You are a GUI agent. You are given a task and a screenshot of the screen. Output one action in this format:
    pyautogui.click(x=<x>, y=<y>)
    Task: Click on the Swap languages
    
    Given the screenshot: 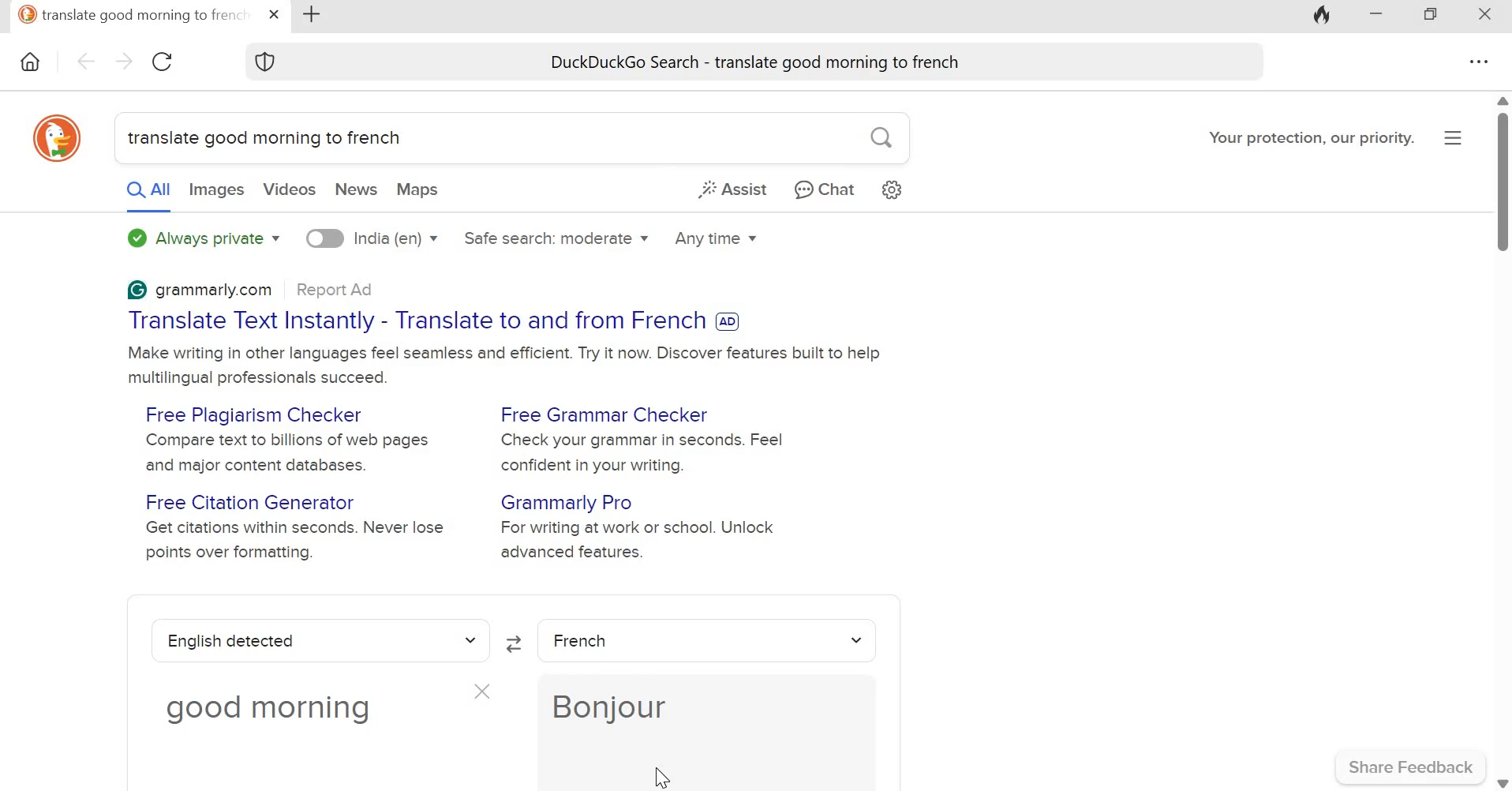 What is the action you would take?
    pyautogui.click(x=515, y=643)
    